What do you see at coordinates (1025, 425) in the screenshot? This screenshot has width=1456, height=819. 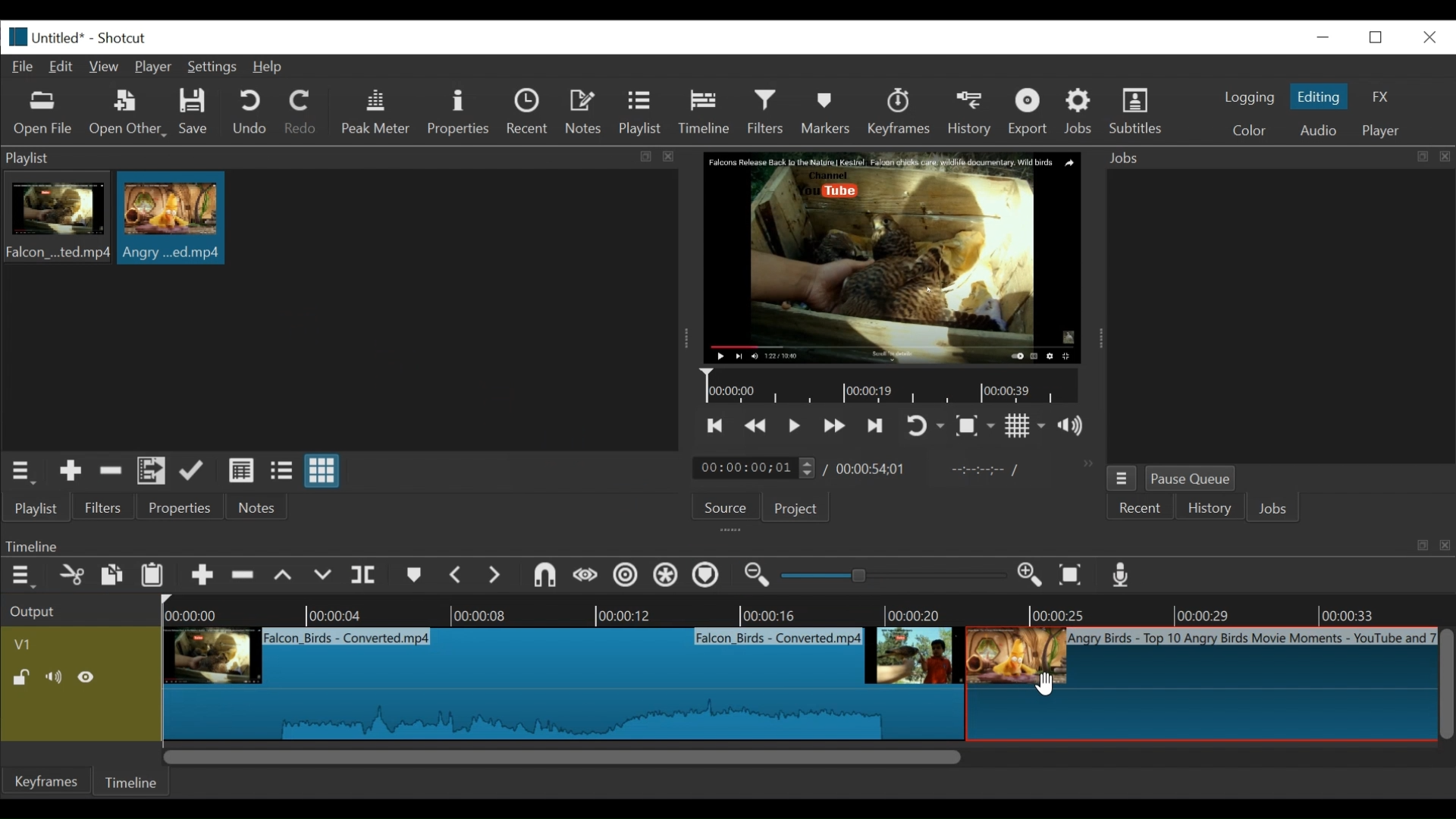 I see `Toggle display grid on player` at bounding box center [1025, 425].